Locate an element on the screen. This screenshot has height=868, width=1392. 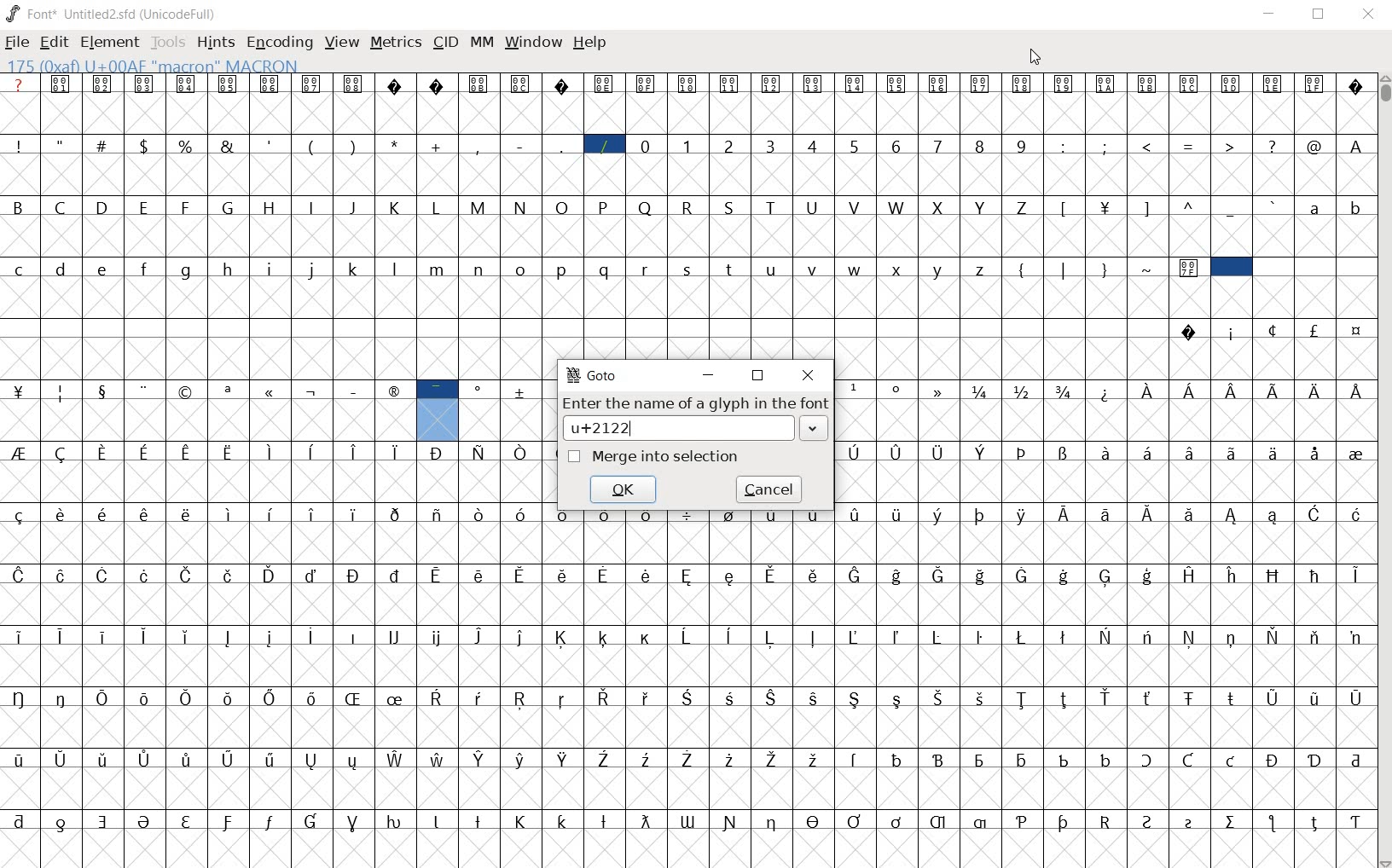
special characters is located at coordinates (686, 841).